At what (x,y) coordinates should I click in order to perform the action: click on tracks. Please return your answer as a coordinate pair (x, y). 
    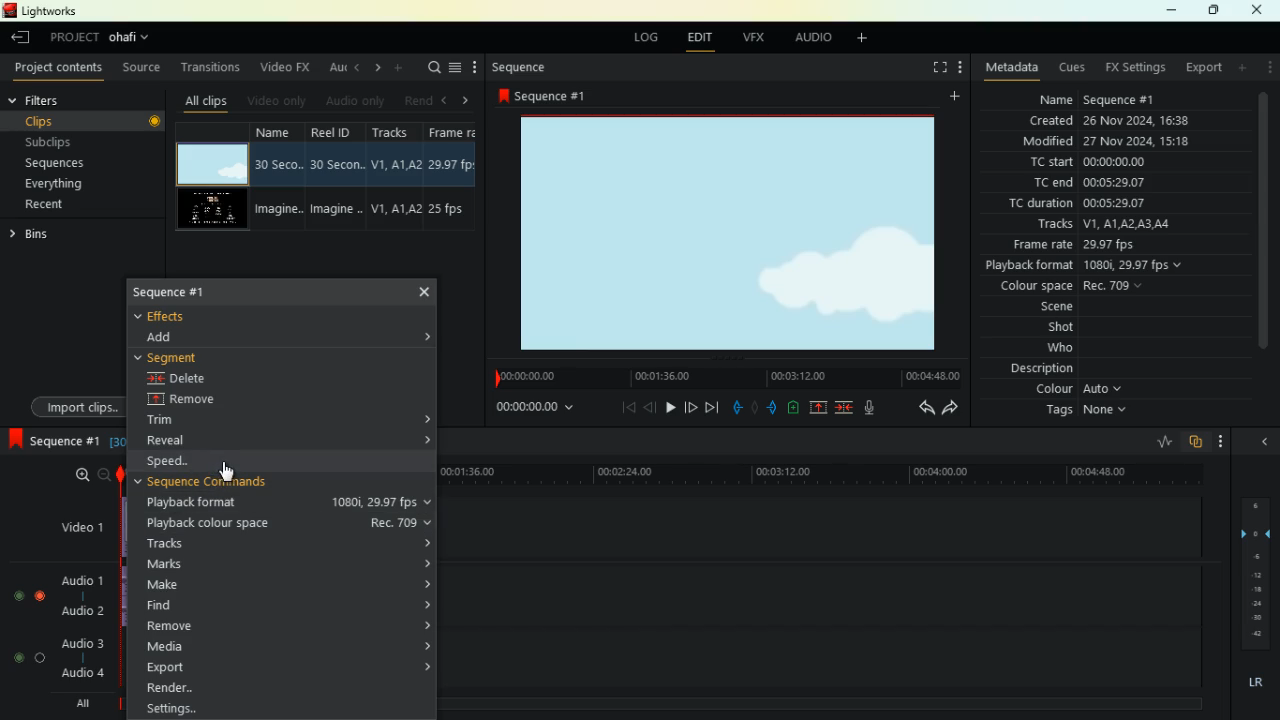
    Looking at the image, I should click on (1098, 226).